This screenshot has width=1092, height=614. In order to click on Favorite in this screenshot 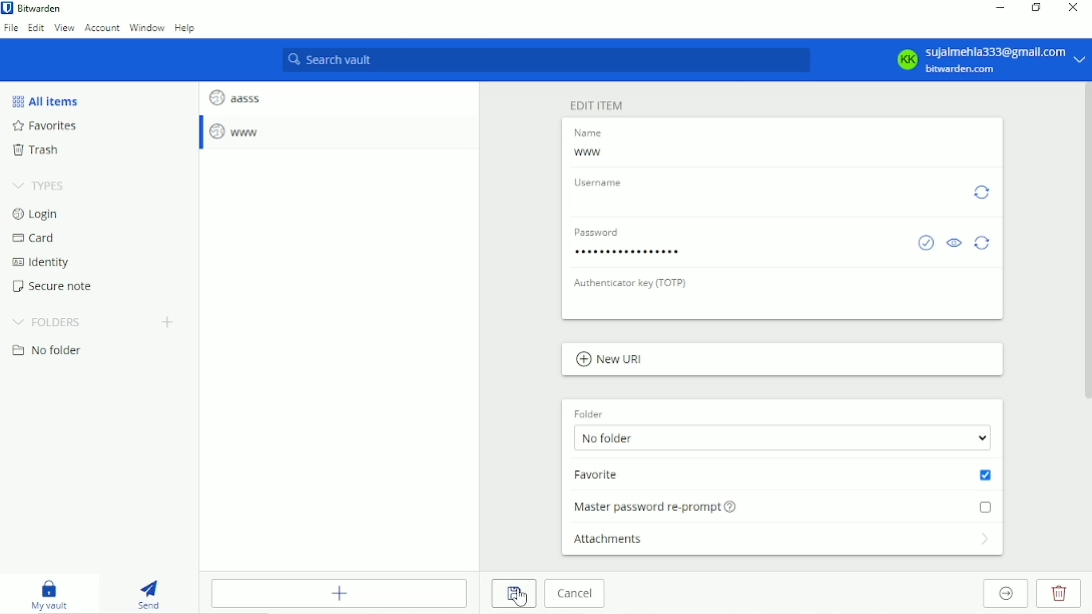, I will do `click(784, 475)`.